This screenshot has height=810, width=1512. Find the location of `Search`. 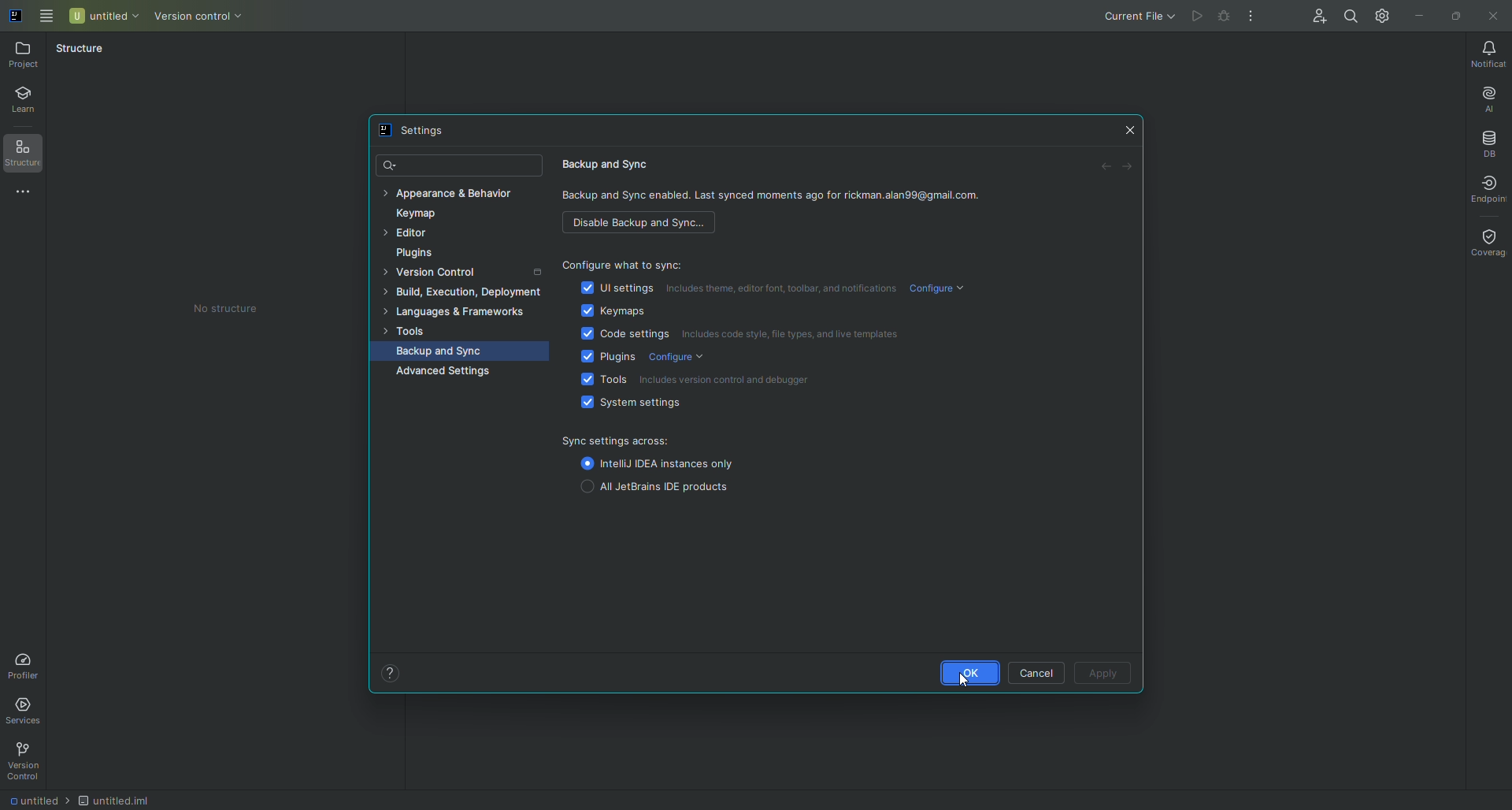

Search is located at coordinates (1349, 14).